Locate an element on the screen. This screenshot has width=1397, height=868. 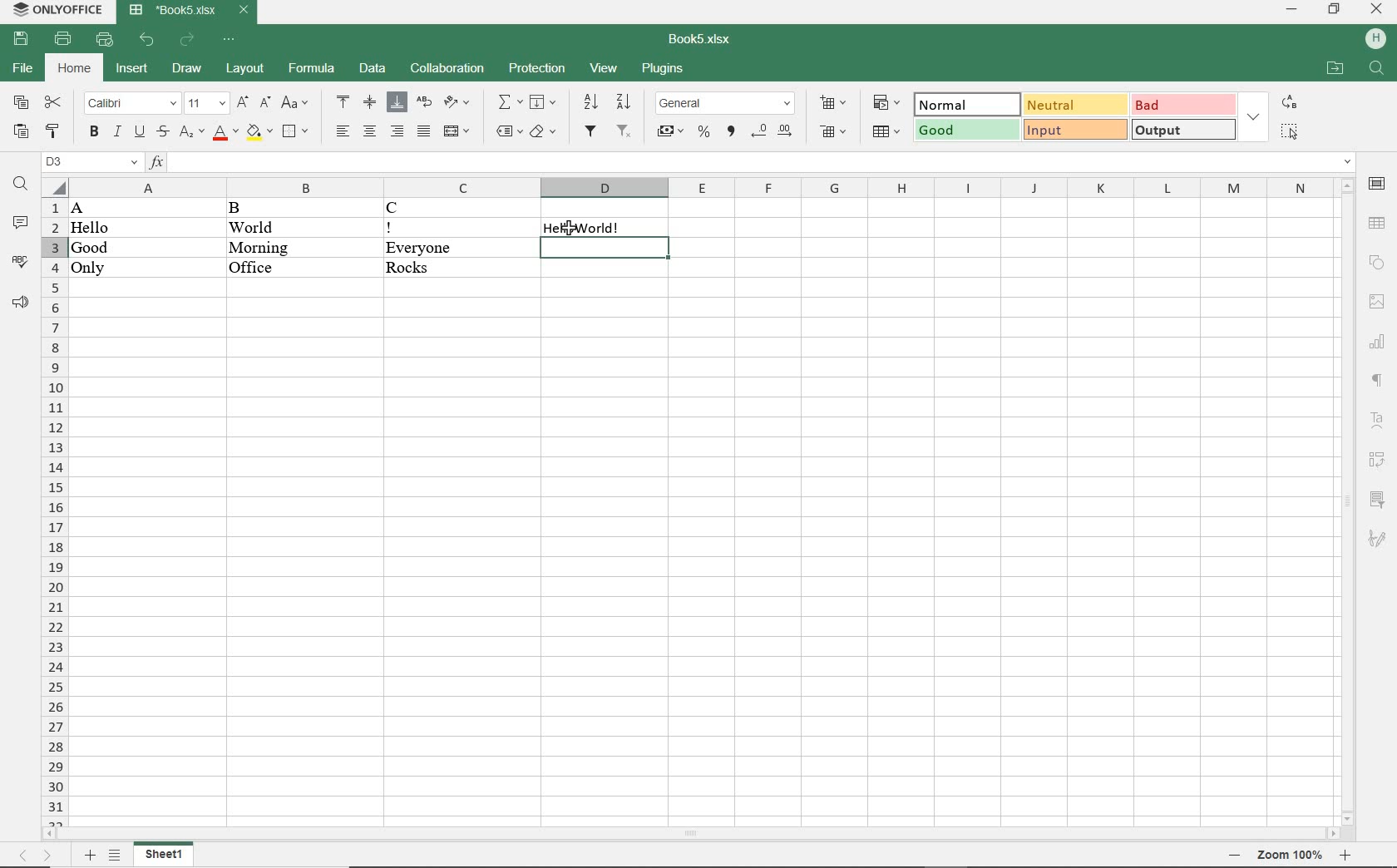
IMAGE is located at coordinates (1377, 300).